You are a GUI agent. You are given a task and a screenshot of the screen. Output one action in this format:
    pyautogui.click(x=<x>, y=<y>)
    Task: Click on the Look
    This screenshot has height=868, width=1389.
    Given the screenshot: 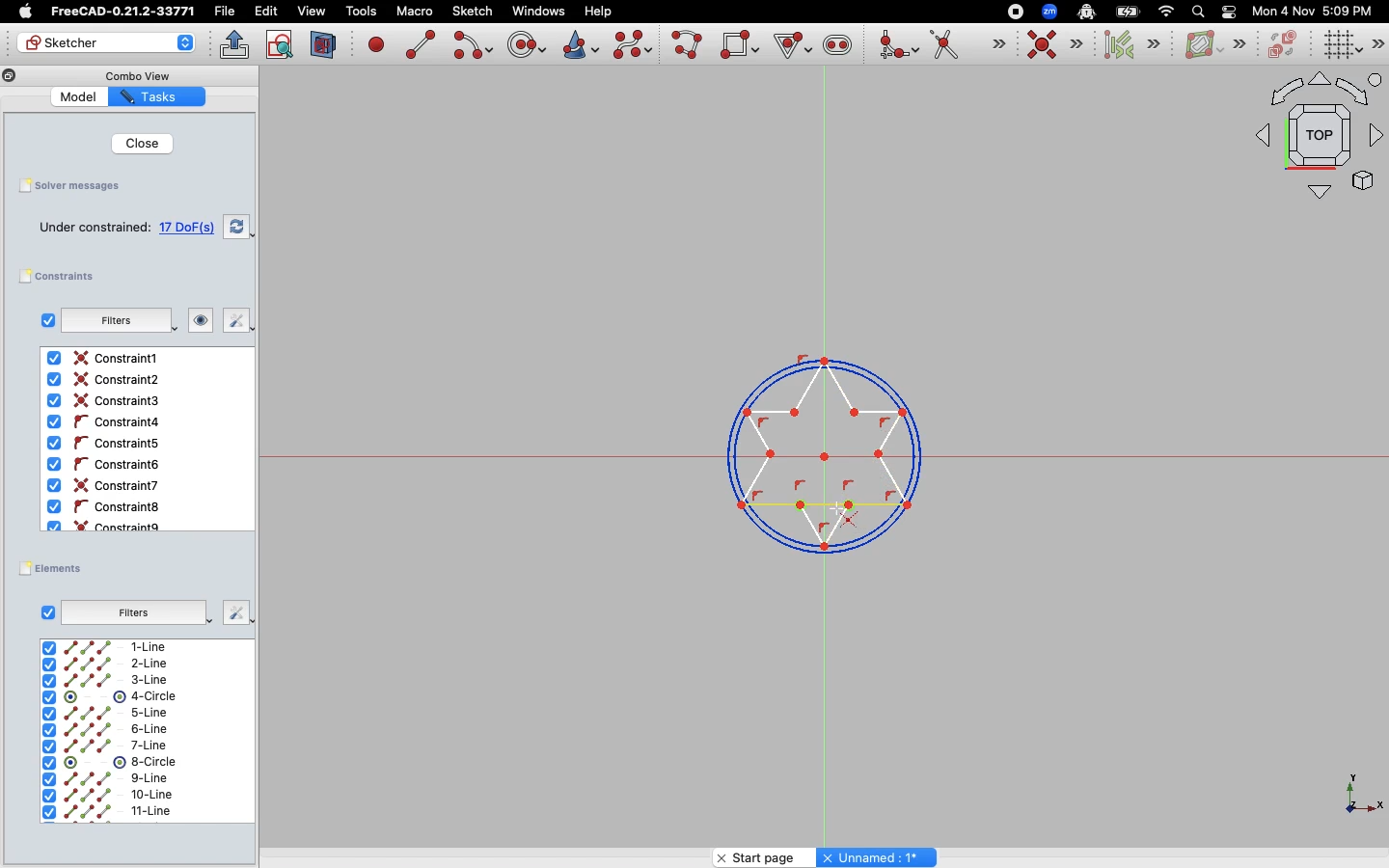 What is the action you would take?
    pyautogui.click(x=194, y=322)
    